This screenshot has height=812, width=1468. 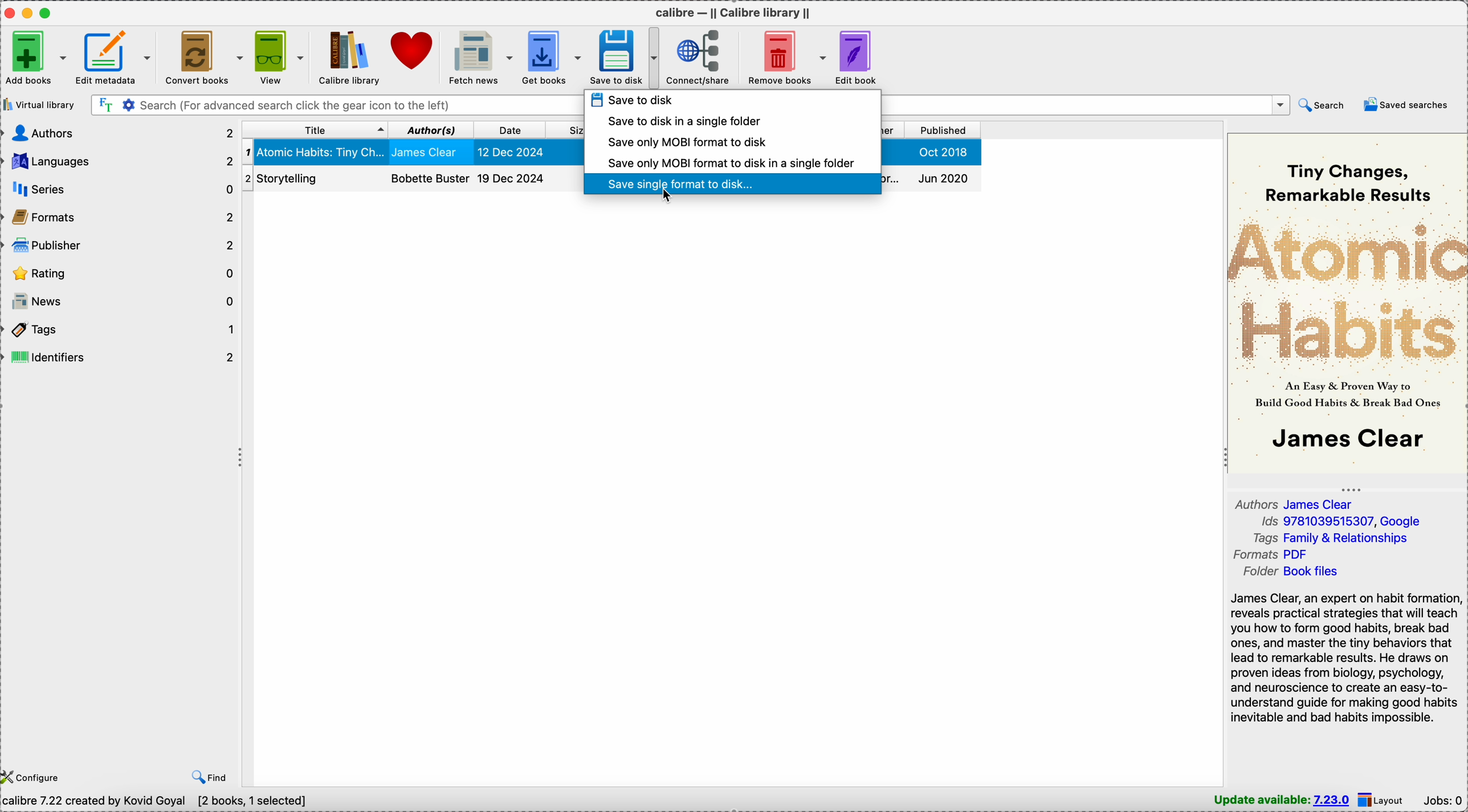 I want to click on layout, so click(x=1381, y=800).